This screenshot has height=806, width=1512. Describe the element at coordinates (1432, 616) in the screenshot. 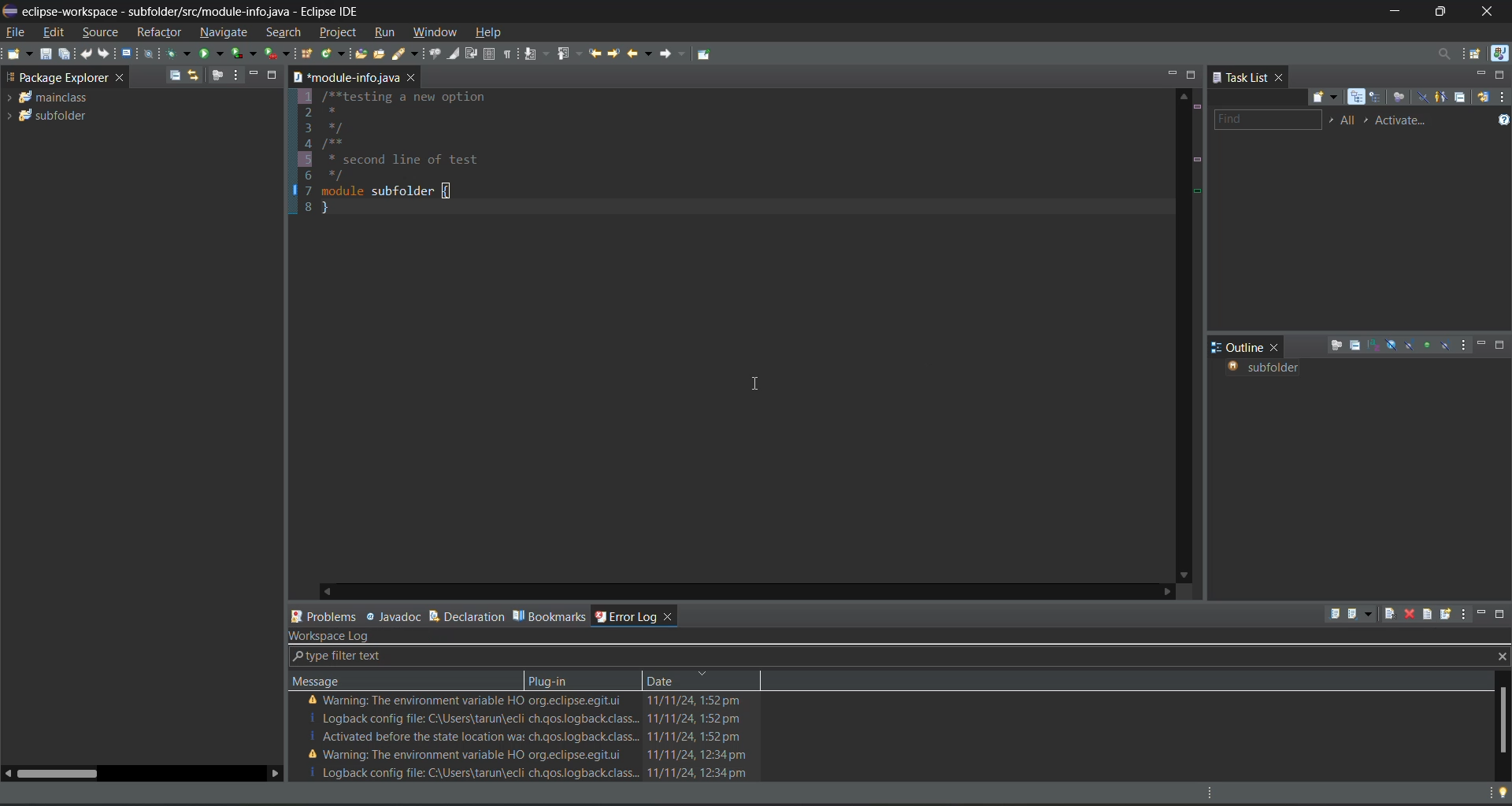

I see `open log` at that location.